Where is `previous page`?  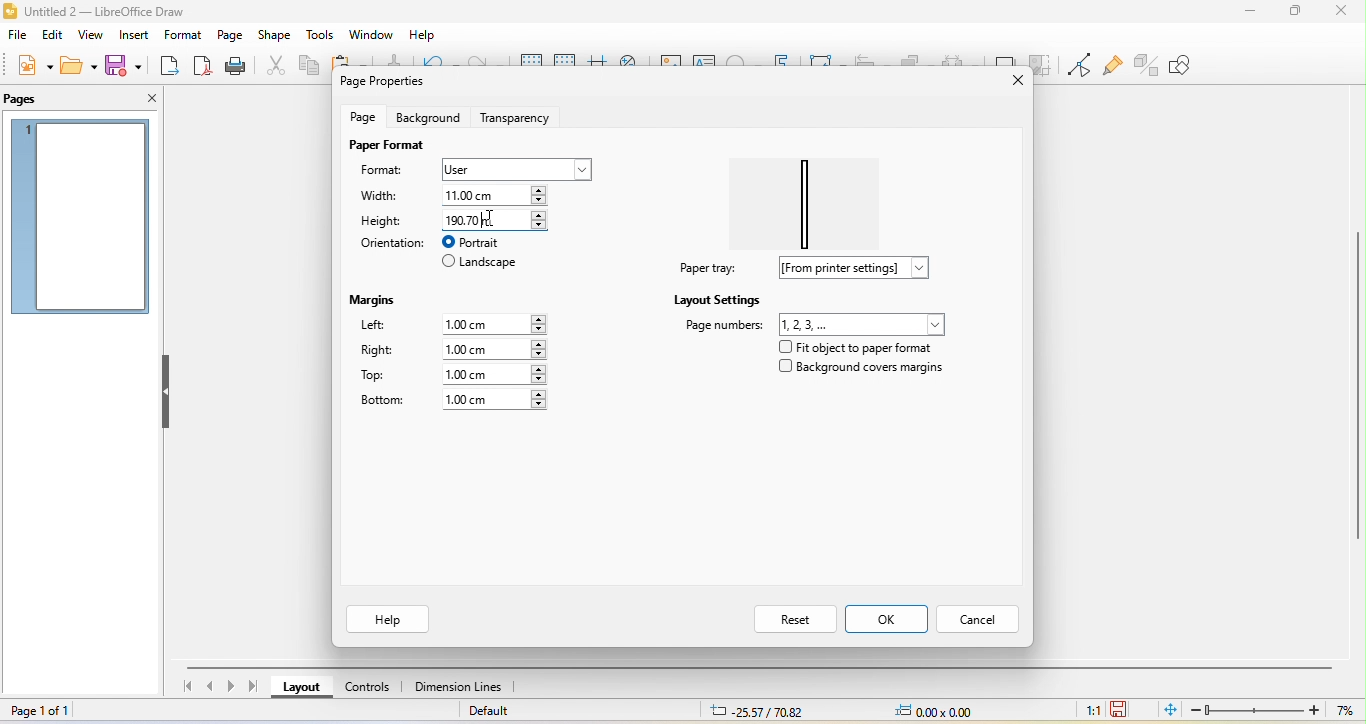
previous page is located at coordinates (210, 688).